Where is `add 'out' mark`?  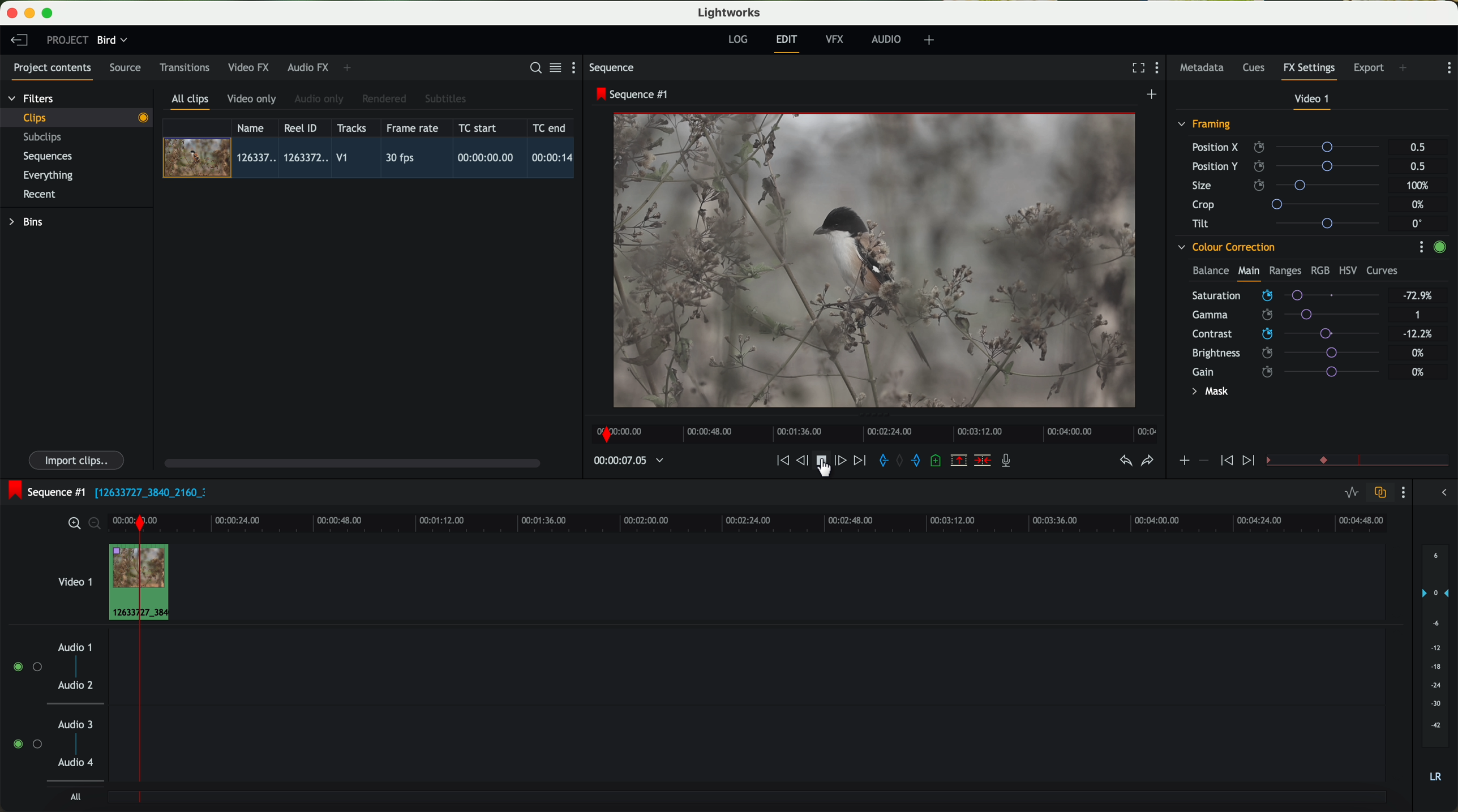 add 'out' mark is located at coordinates (921, 459).